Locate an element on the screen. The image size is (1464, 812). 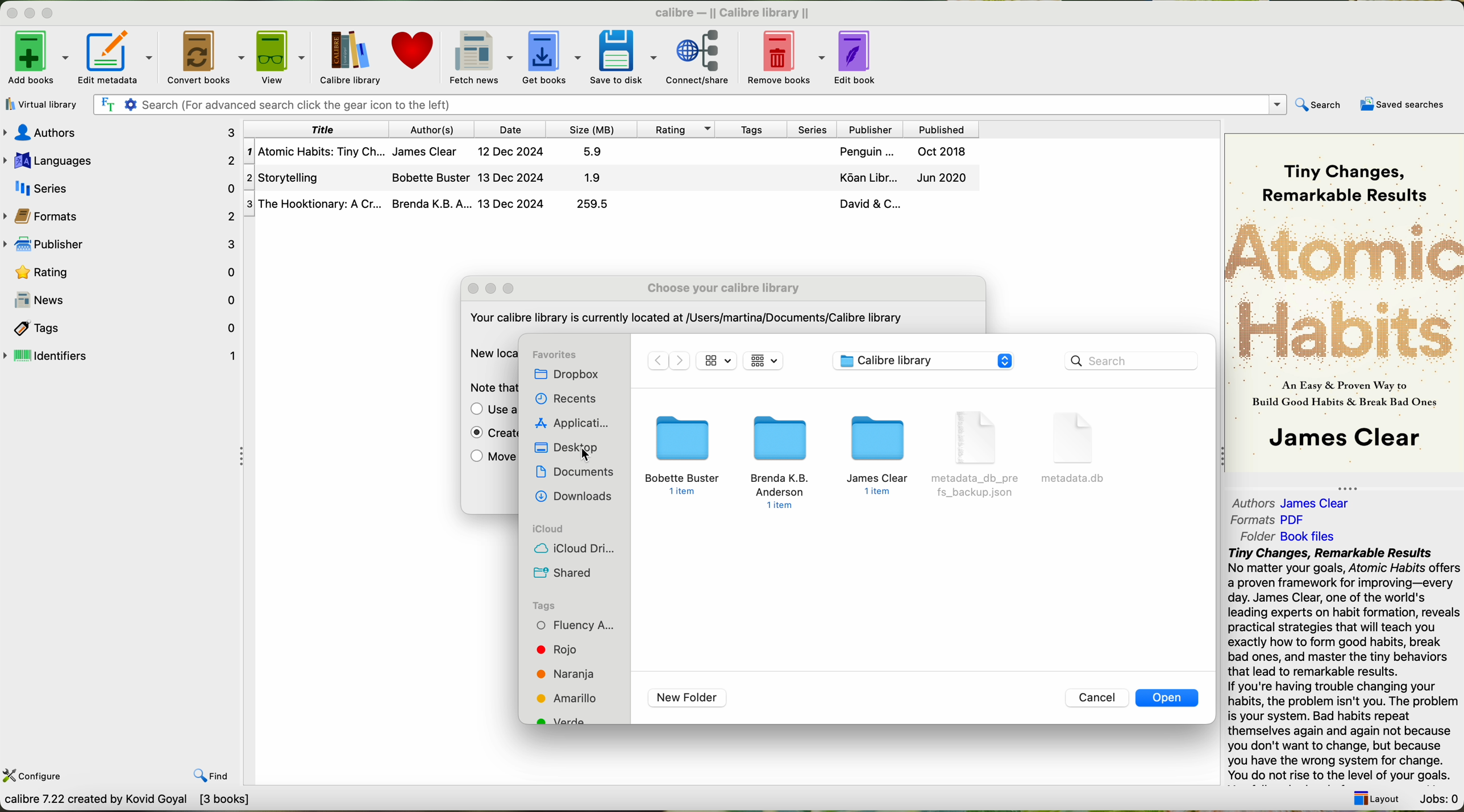
downloads is located at coordinates (576, 497).